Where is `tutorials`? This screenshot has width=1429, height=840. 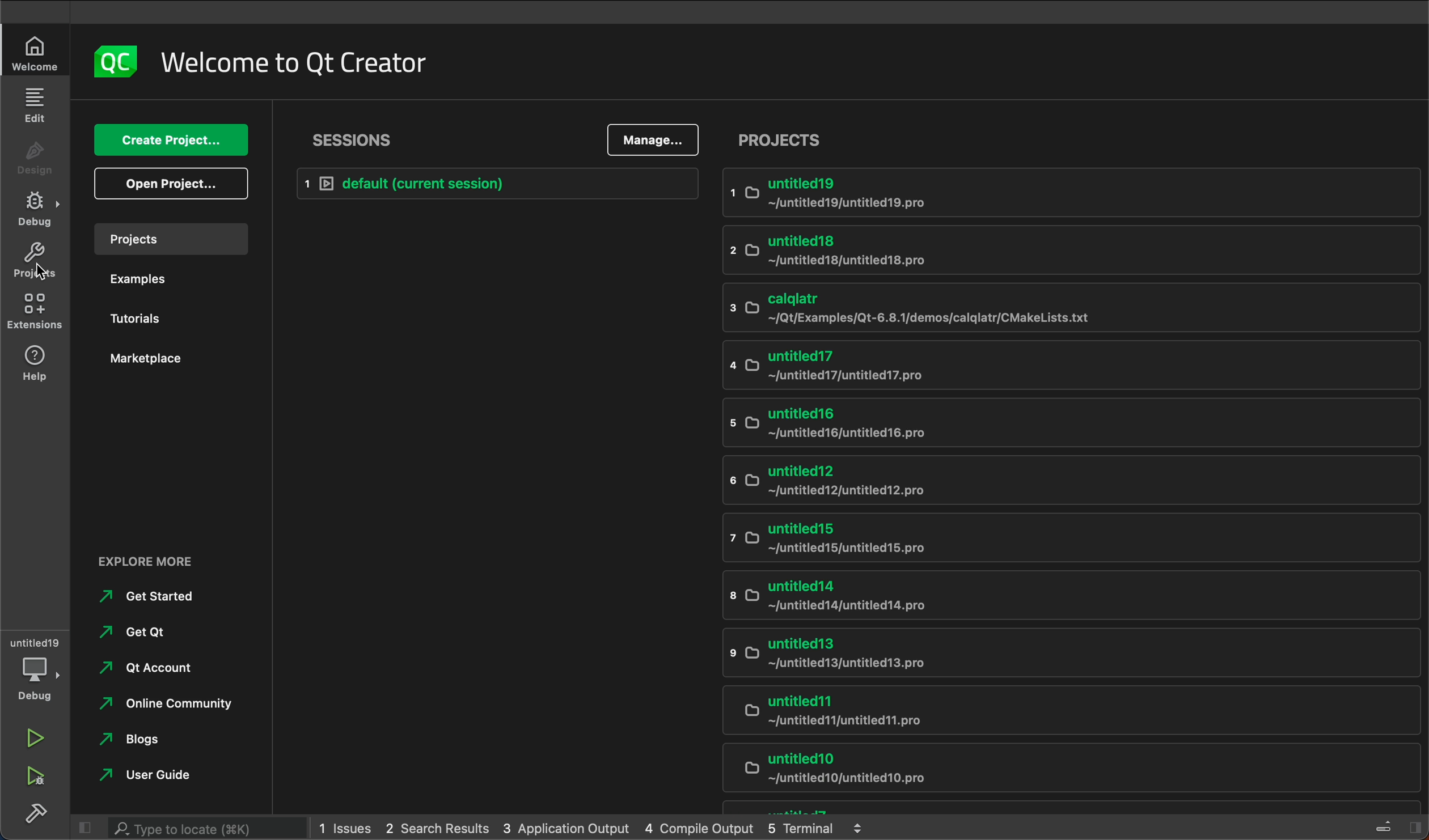
tutorials is located at coordinates (141, 320).